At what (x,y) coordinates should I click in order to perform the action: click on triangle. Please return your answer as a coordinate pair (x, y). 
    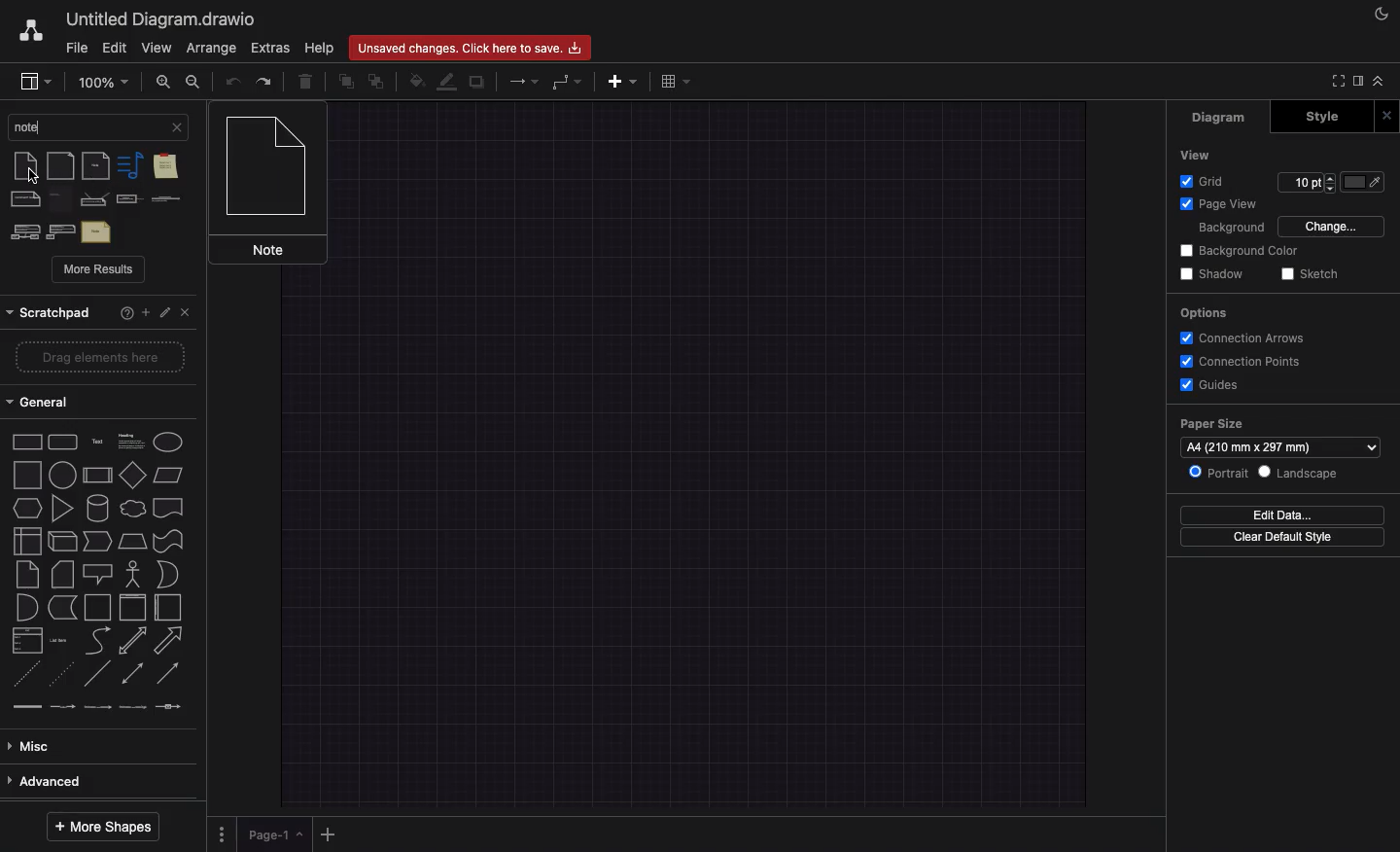
    Looking at the image, I should click on (65, 510).